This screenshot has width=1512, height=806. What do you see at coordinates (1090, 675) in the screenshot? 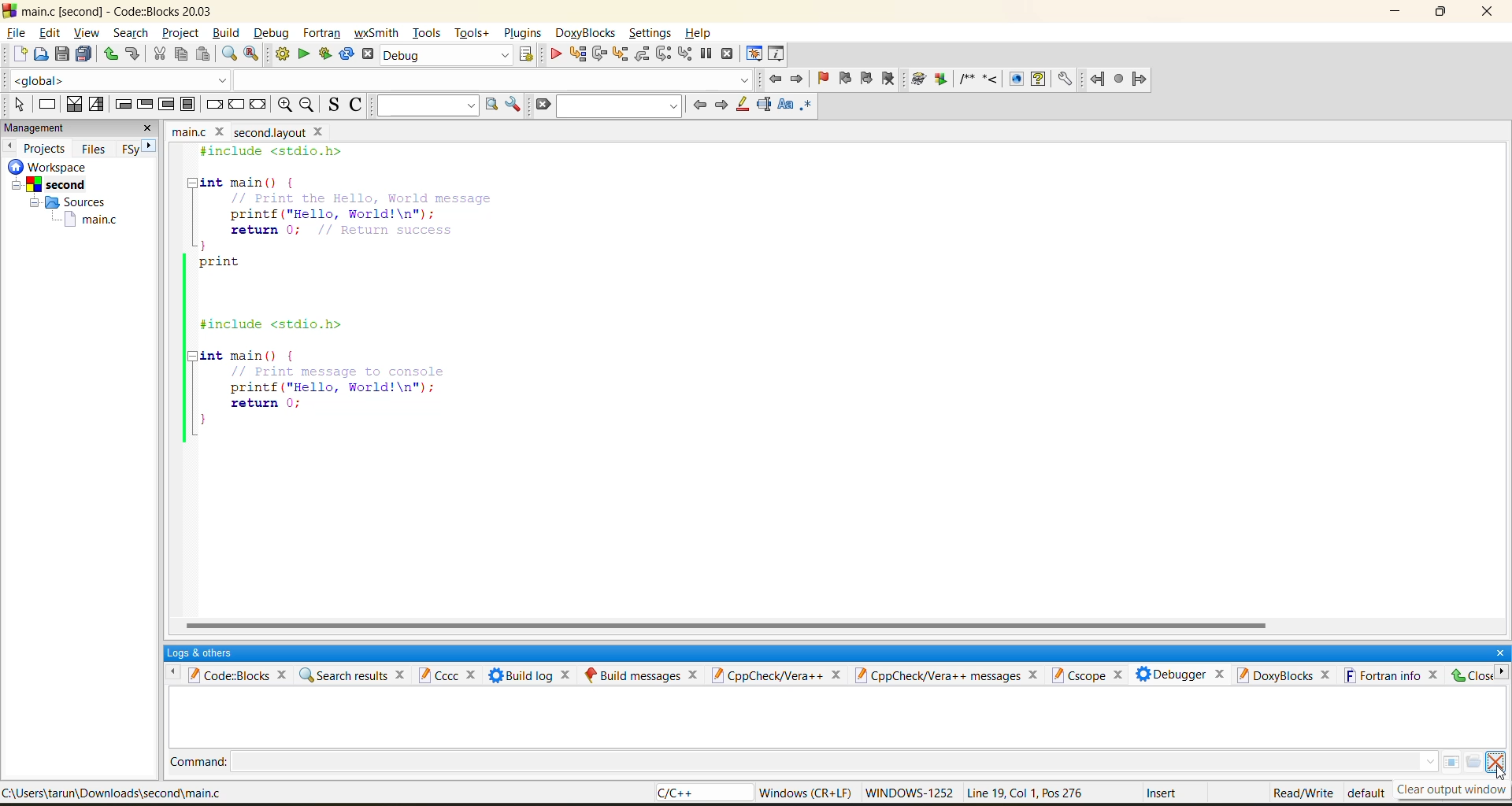
I see `cscope` at bounding box center [1090, 675].